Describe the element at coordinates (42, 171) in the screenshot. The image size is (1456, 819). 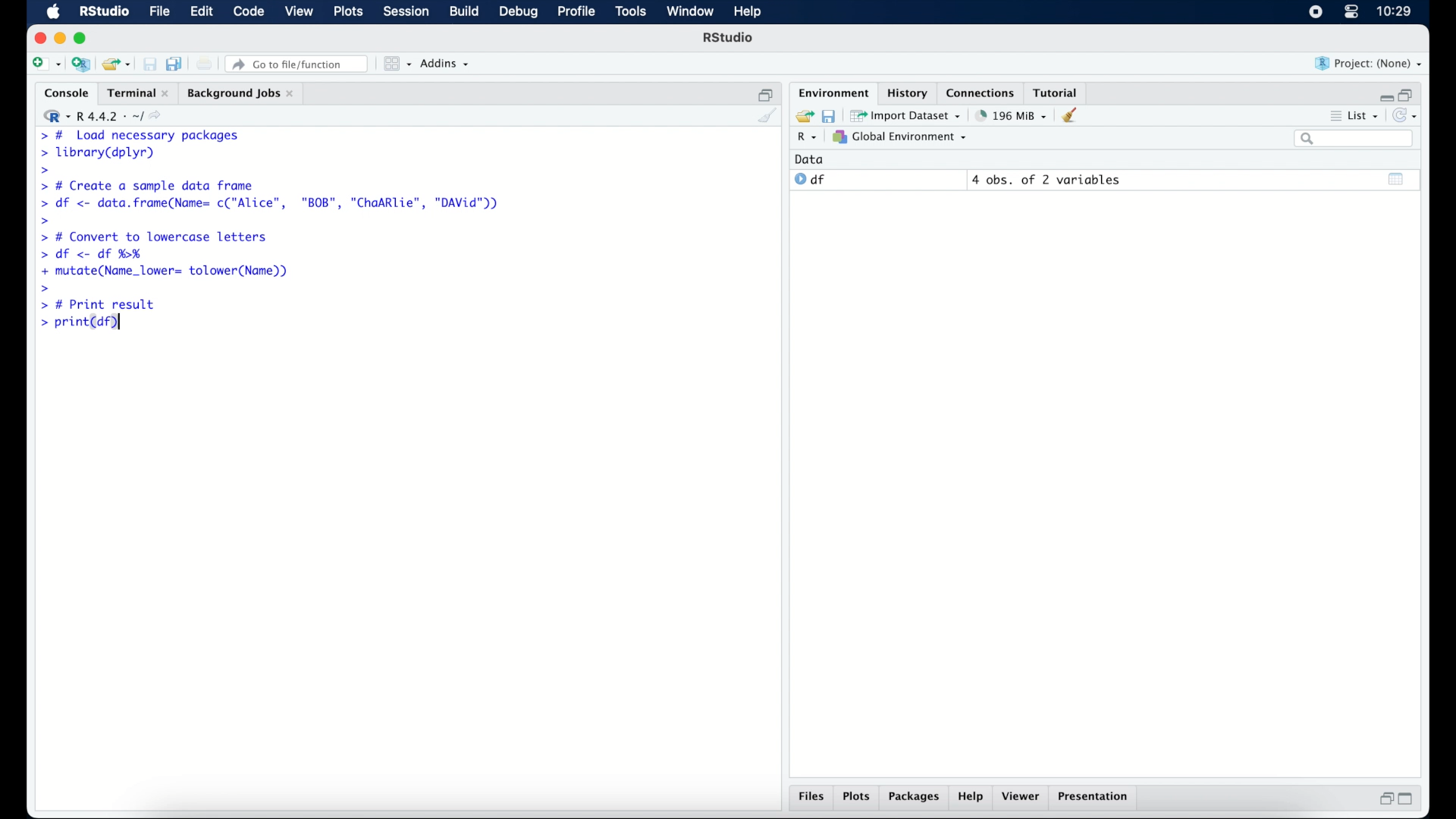
I see `command prompt` at that location.